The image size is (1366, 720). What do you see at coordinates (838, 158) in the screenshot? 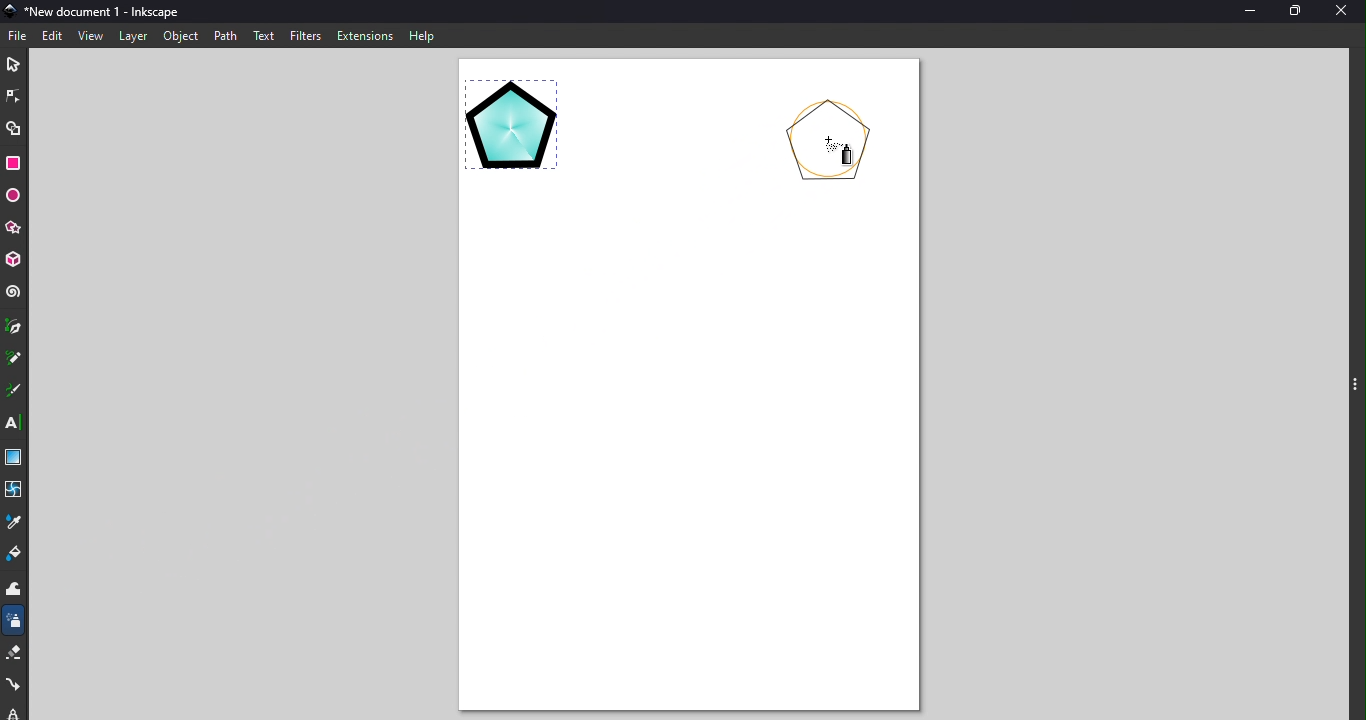
I see `Cursor` at bounding box center [838, 158].